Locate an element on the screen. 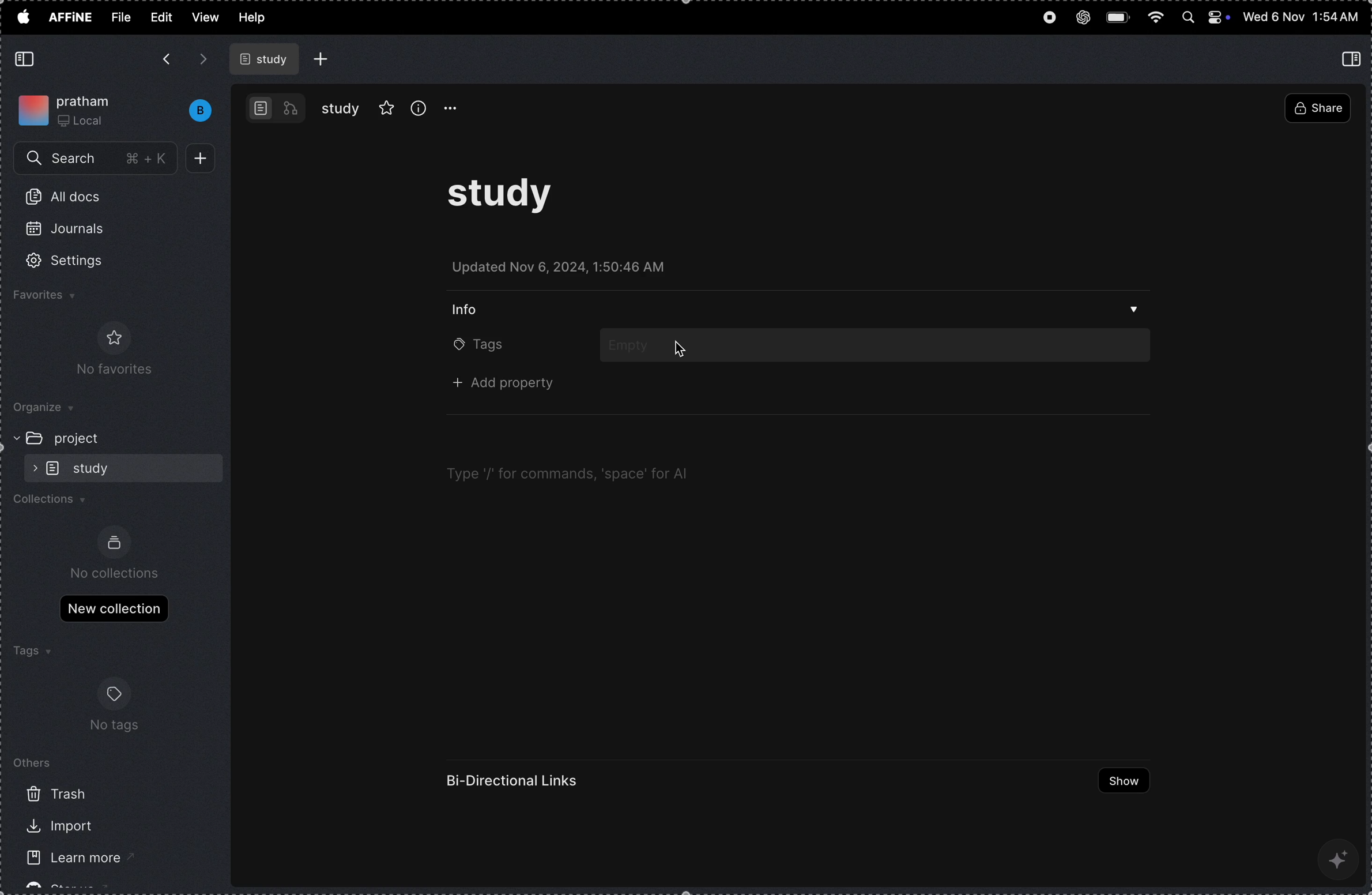 The width and height of the screenshot is (1372, 895). info is located at coordinates (419, 107).